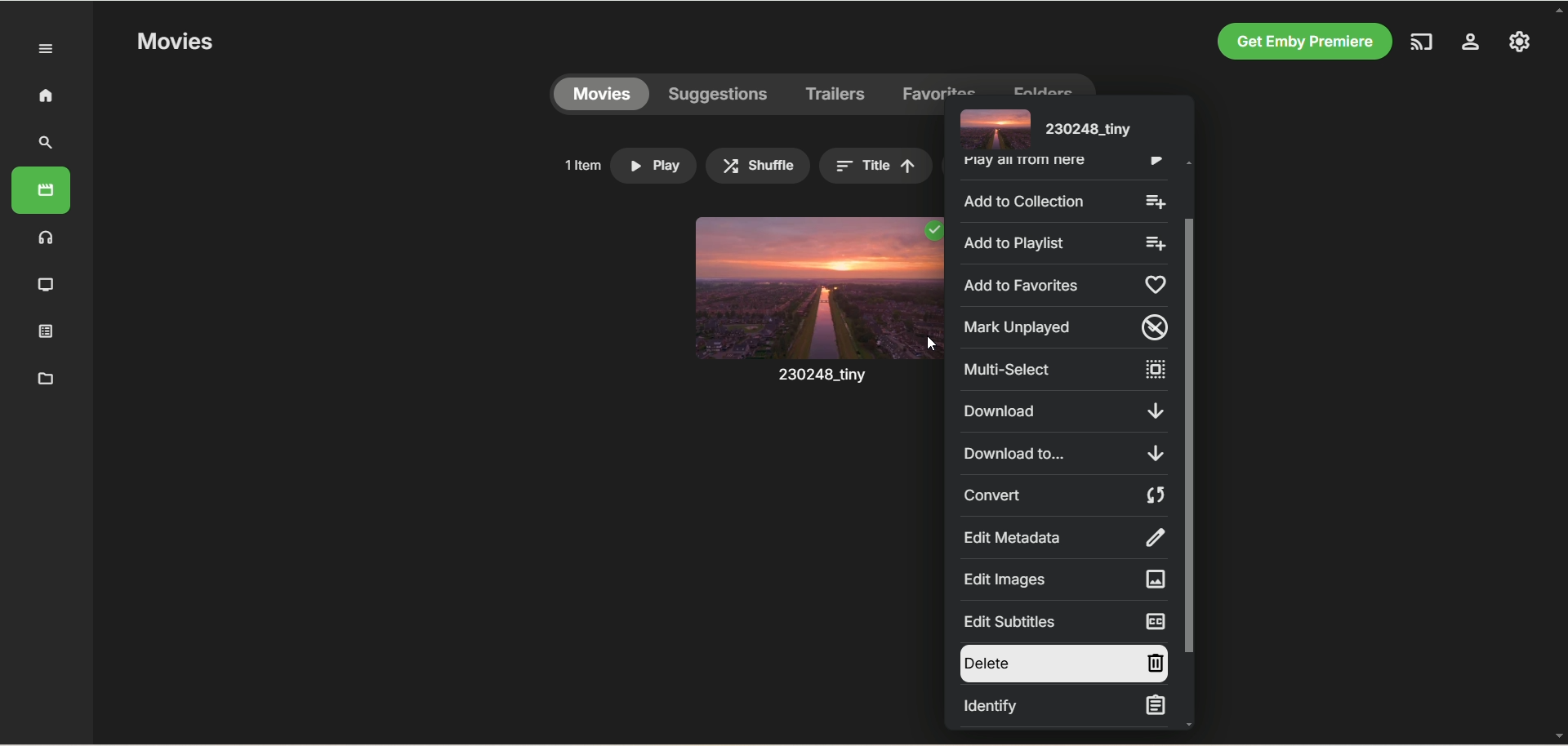  Describe the element at coordinates (1189, 443) in the screenshot. I see `Vertical slide bar` at that location.